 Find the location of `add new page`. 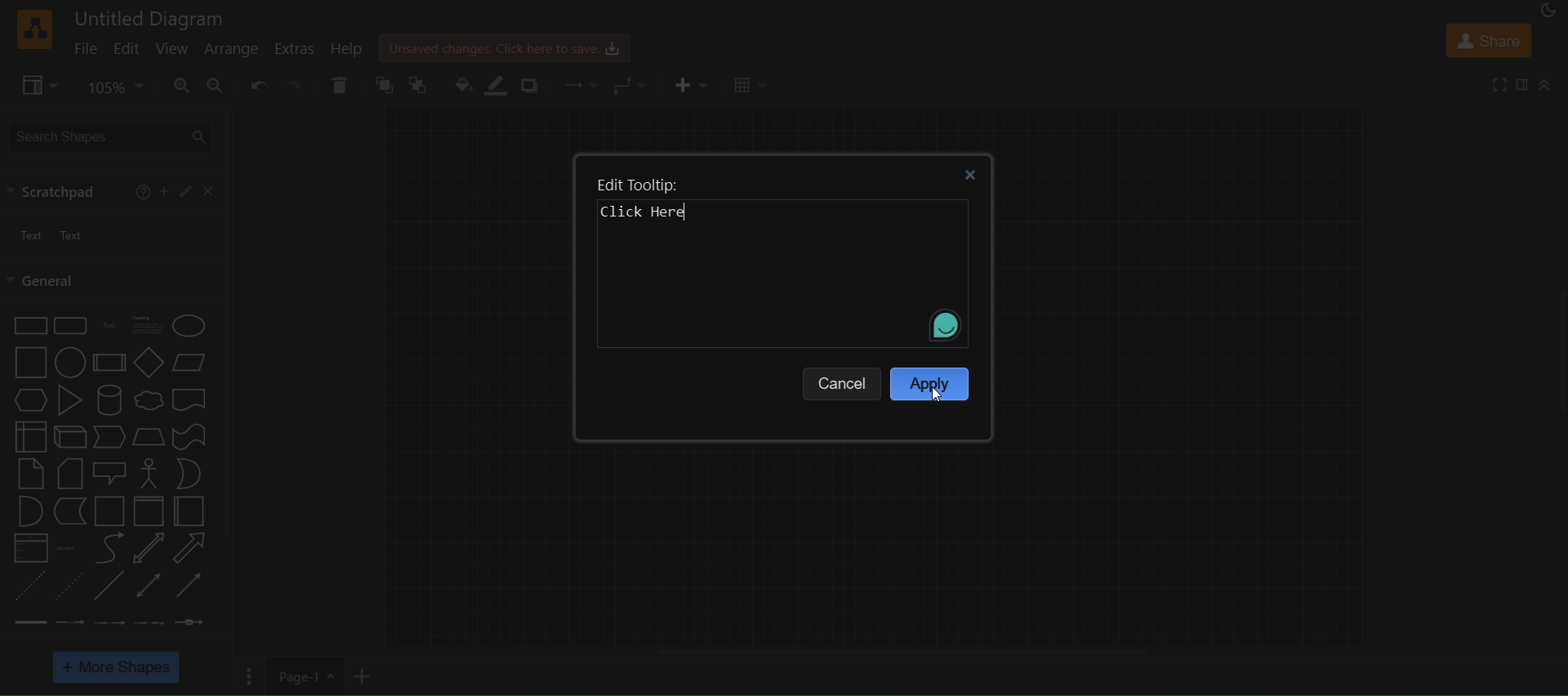

add new page is located at coordinates (375, 675).